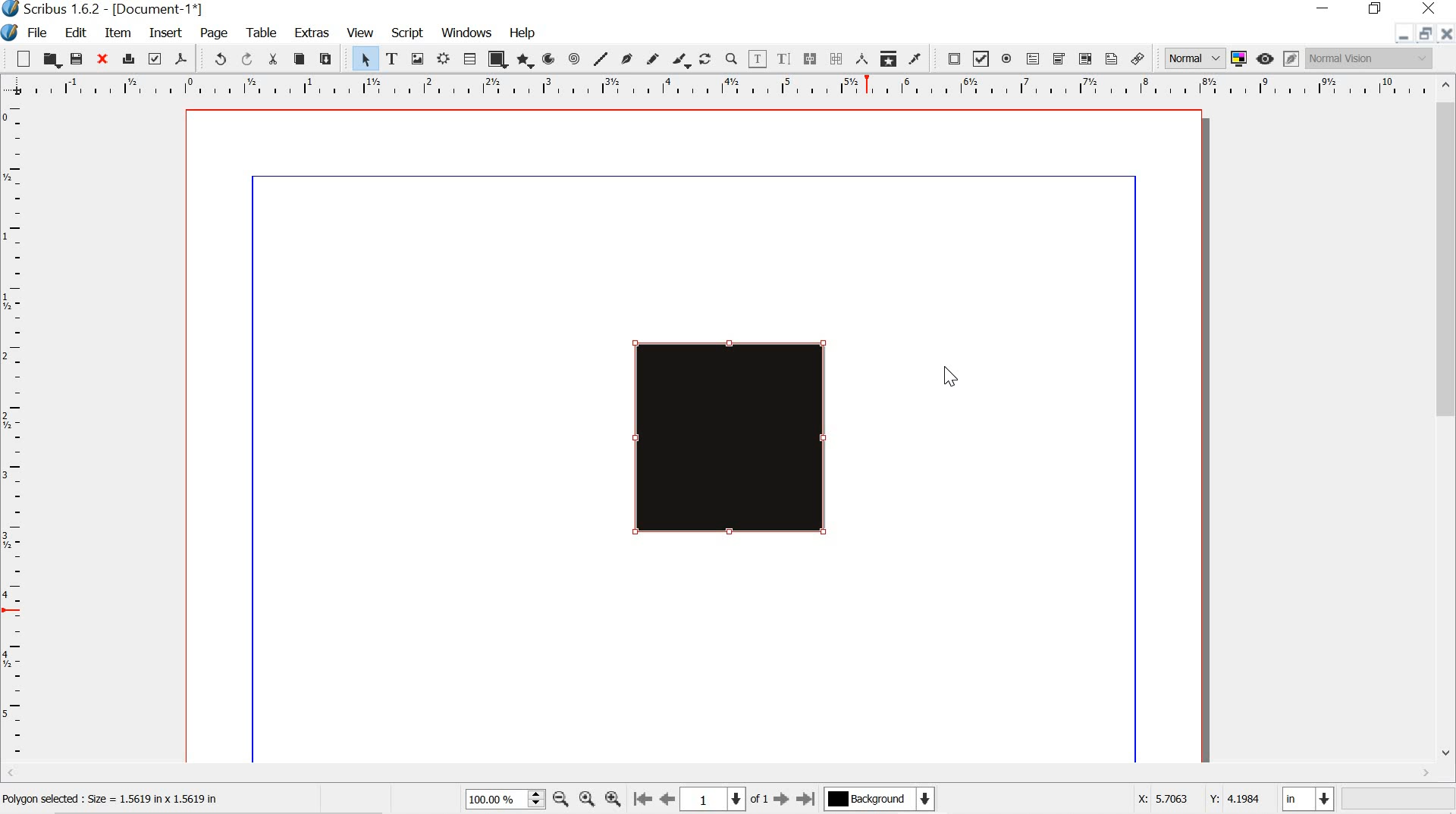  What do you see at coordinates (1084, 58) in the screenshot?
I see `pdf list` at bounding box center [1084, 58].